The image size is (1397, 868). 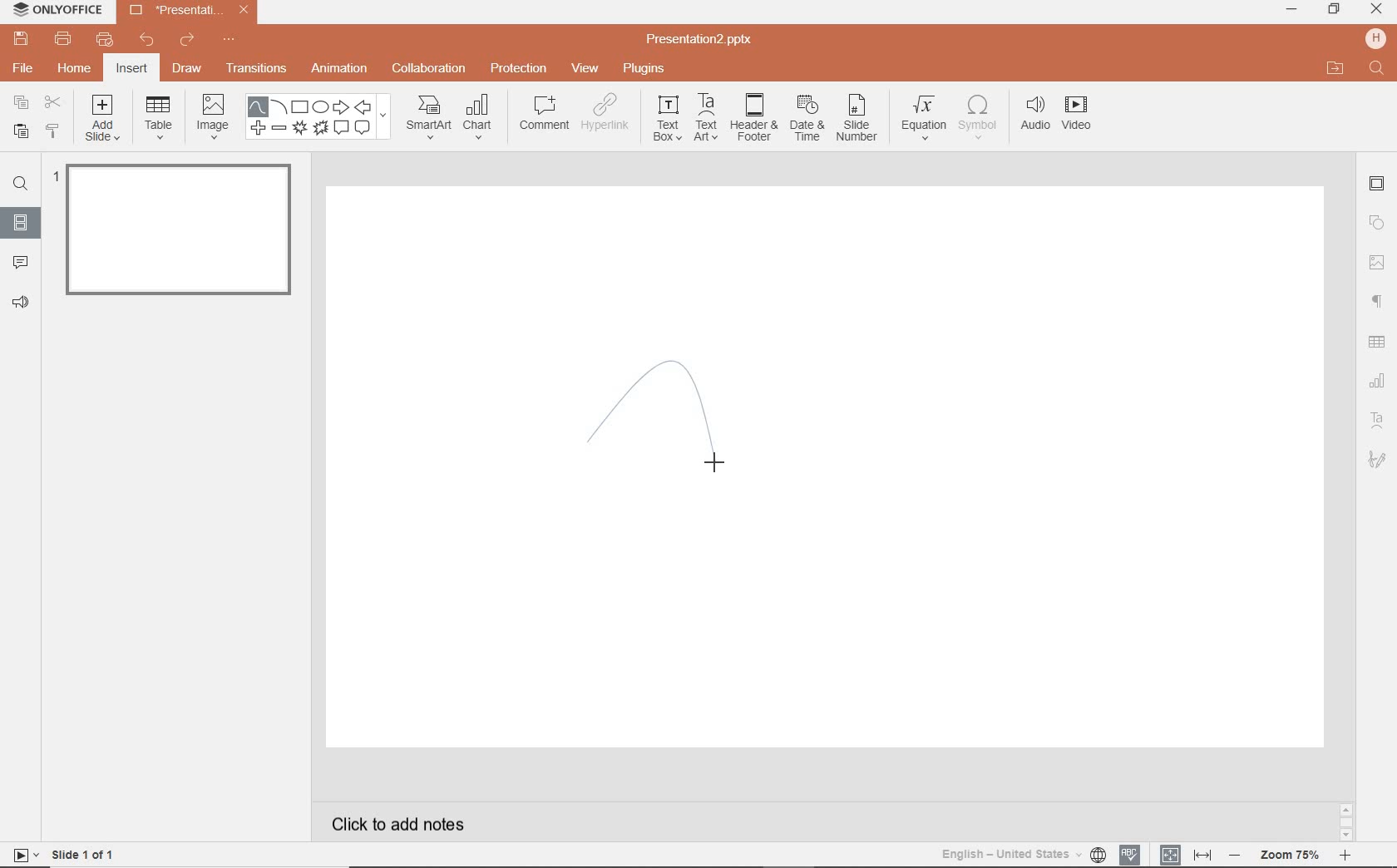 What do you see at coordinates (62, 38) in the screenshot?
I see `PRINT` at bounding box center [62, 38].